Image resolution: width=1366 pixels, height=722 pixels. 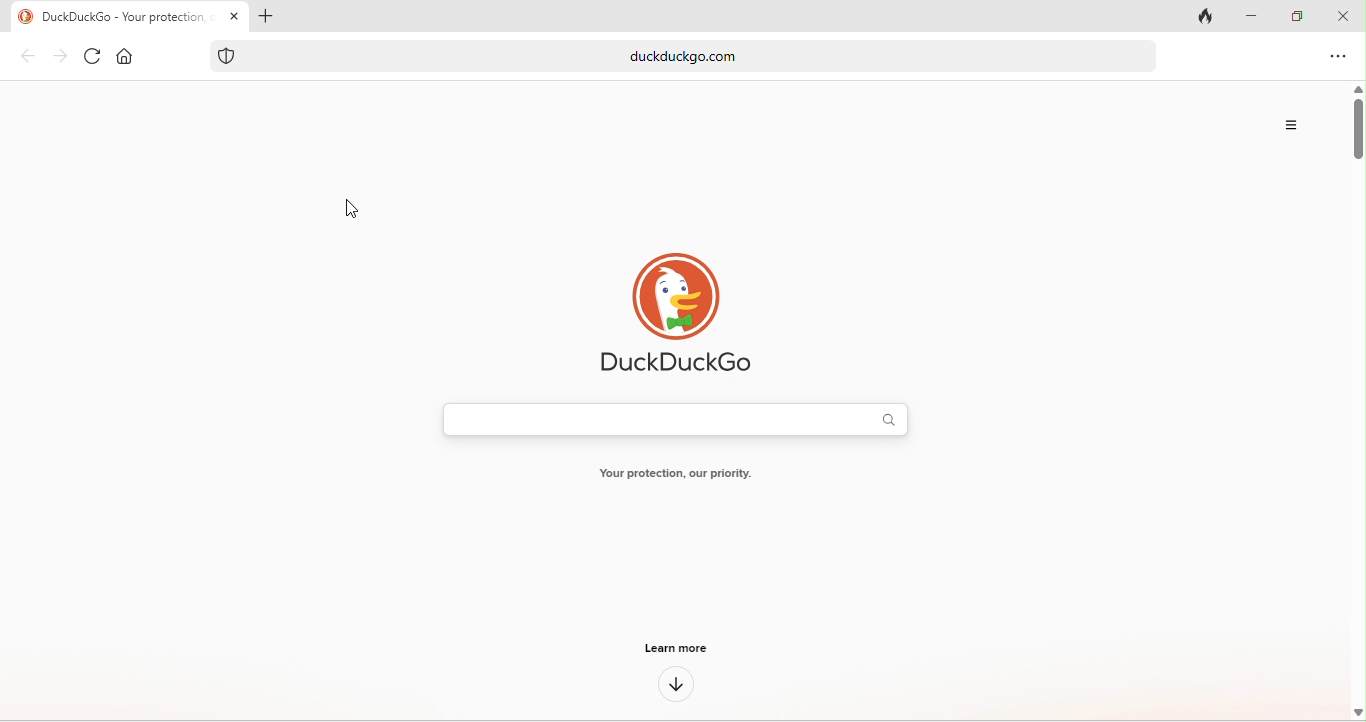 I want to click on cursor, so click(x=355, y=209).